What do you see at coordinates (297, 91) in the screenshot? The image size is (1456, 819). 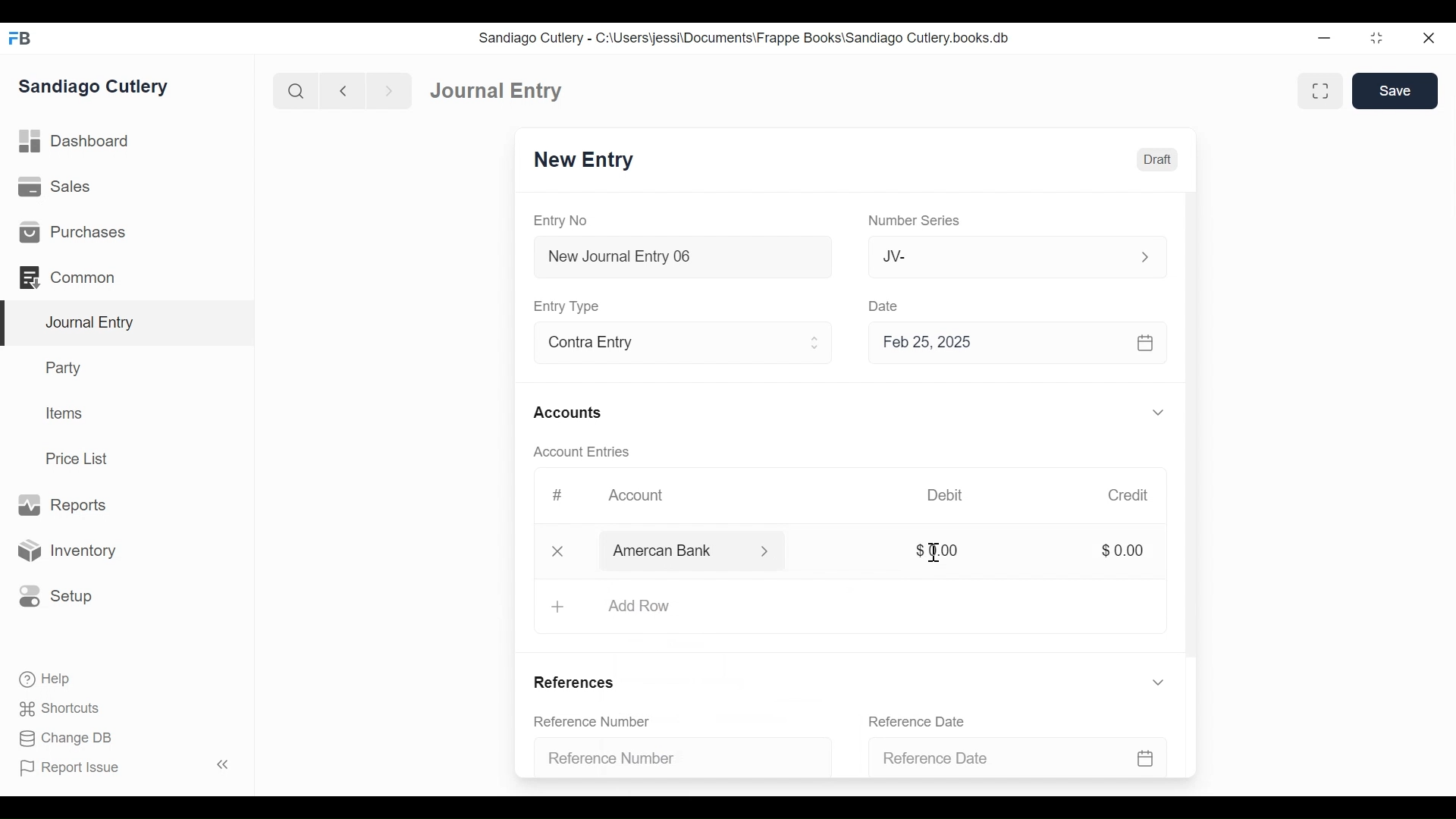 I see `Search` at bounding box center [297, 91].